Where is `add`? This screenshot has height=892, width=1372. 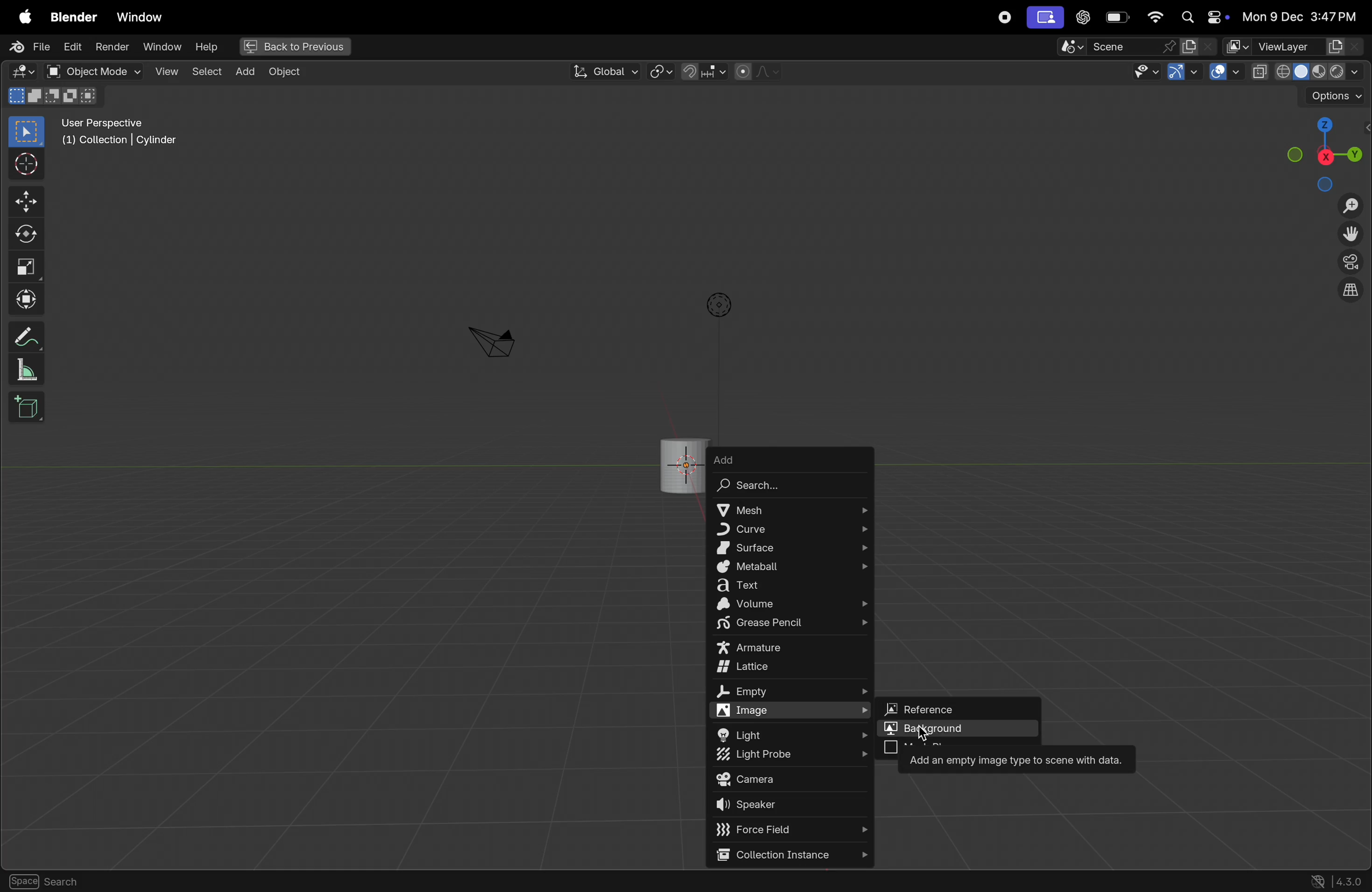
add is located at coordinates (244, 73).